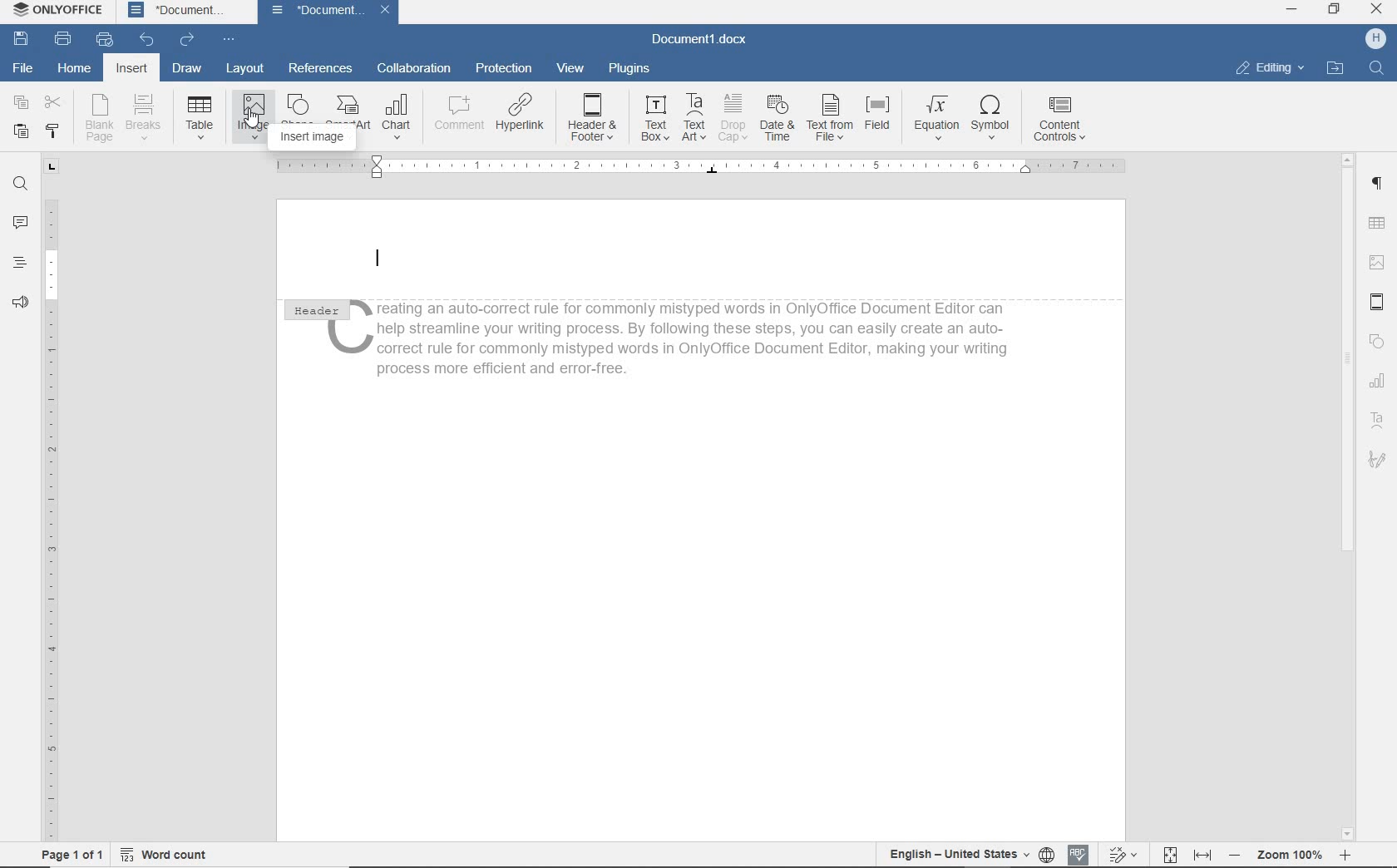  I want to click on SMART ART, so click(346, 106).